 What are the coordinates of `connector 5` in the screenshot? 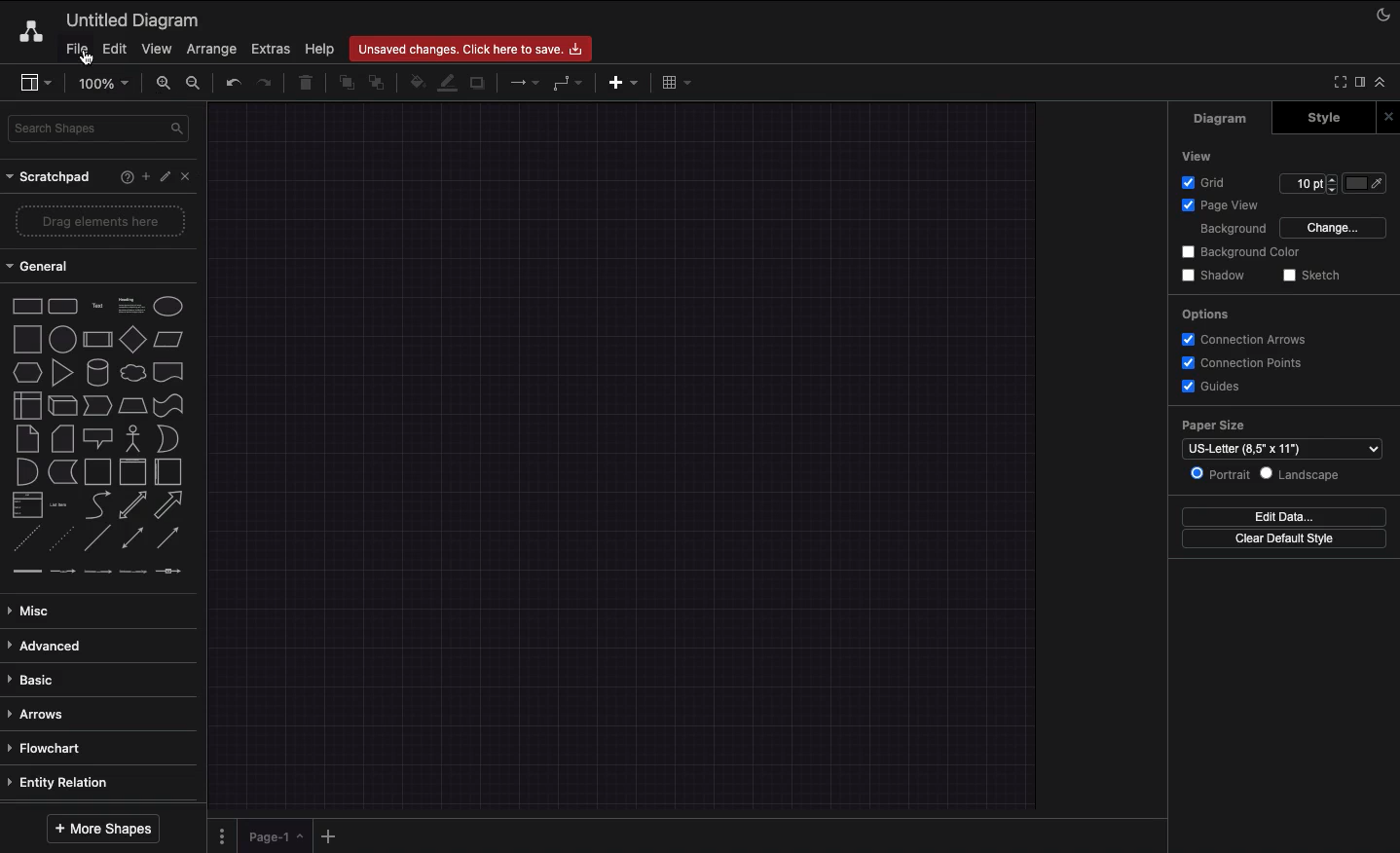 It's located at (170, 571).